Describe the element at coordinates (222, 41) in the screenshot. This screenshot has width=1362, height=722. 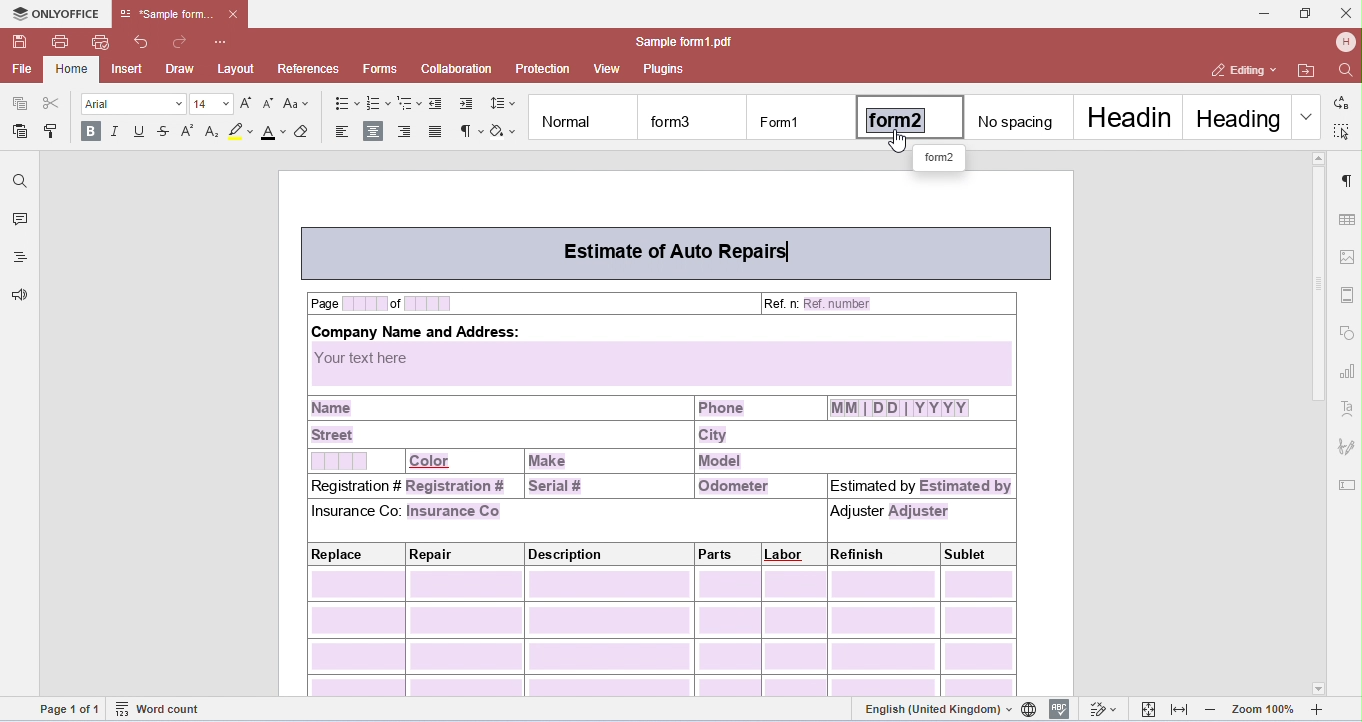
I see `customize quick access toolnar` at that location.